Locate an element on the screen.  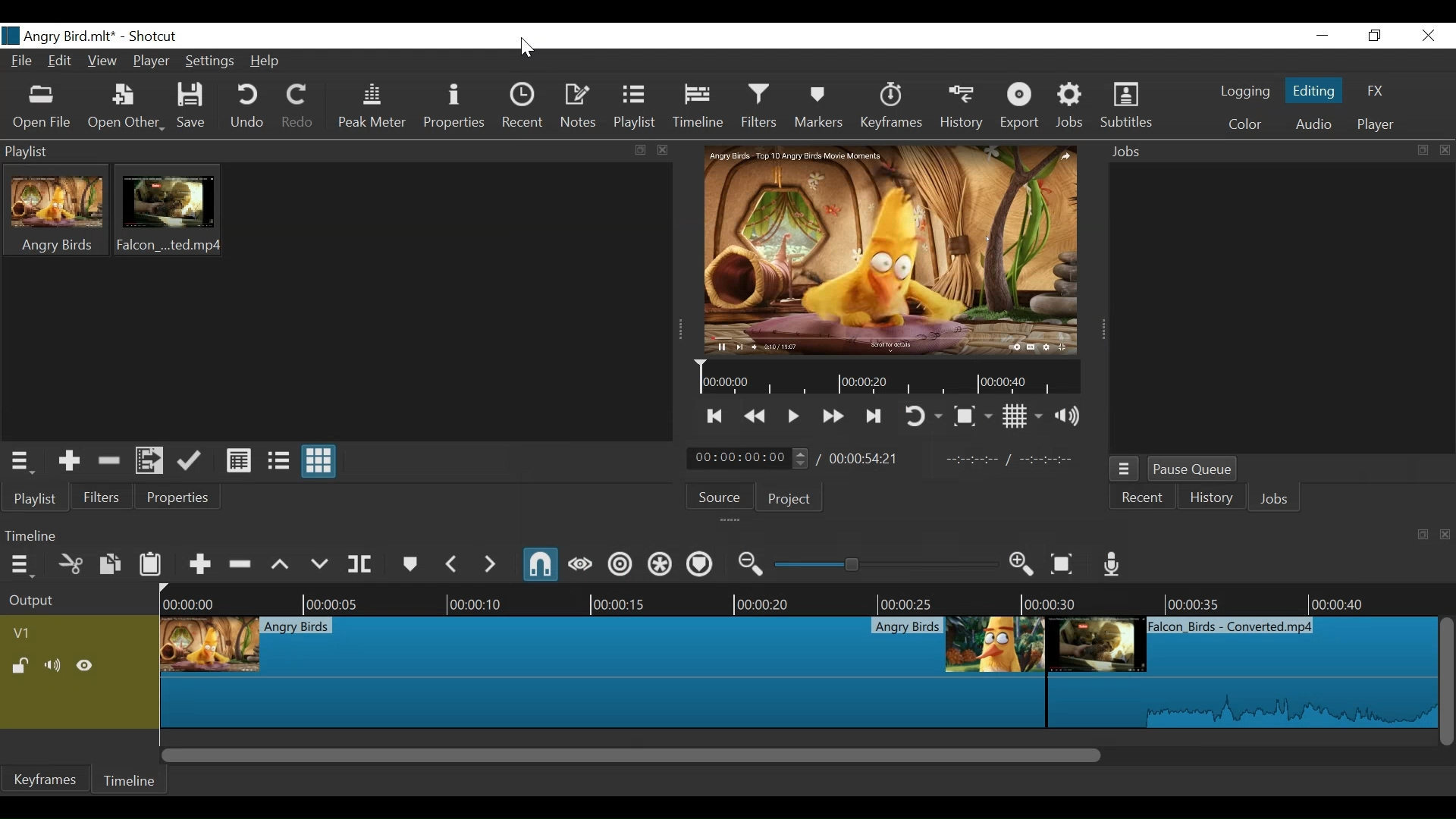
Split at playhead is located at coordinates (361, 565).